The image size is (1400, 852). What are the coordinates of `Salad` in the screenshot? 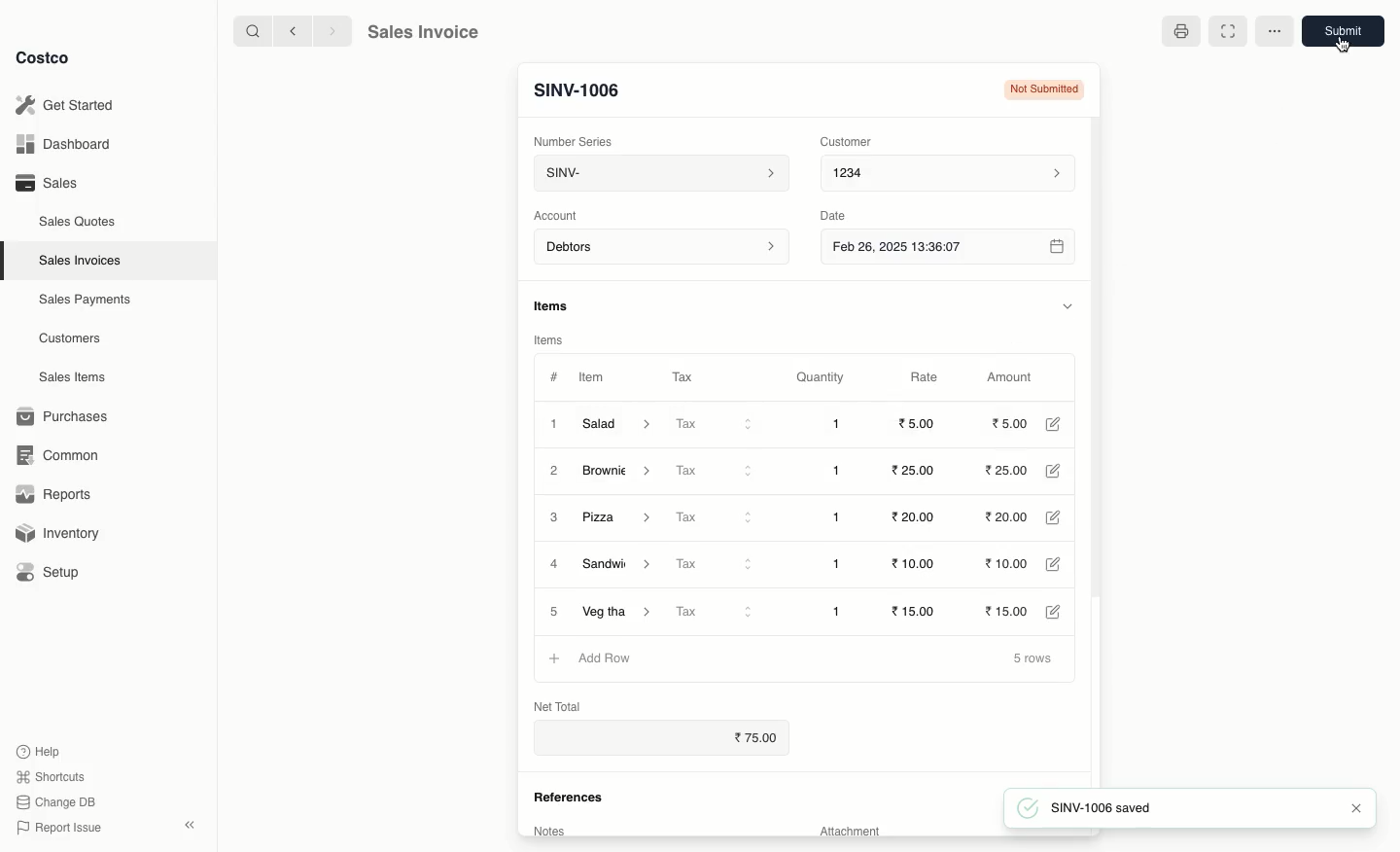 It's located at (615, 424).